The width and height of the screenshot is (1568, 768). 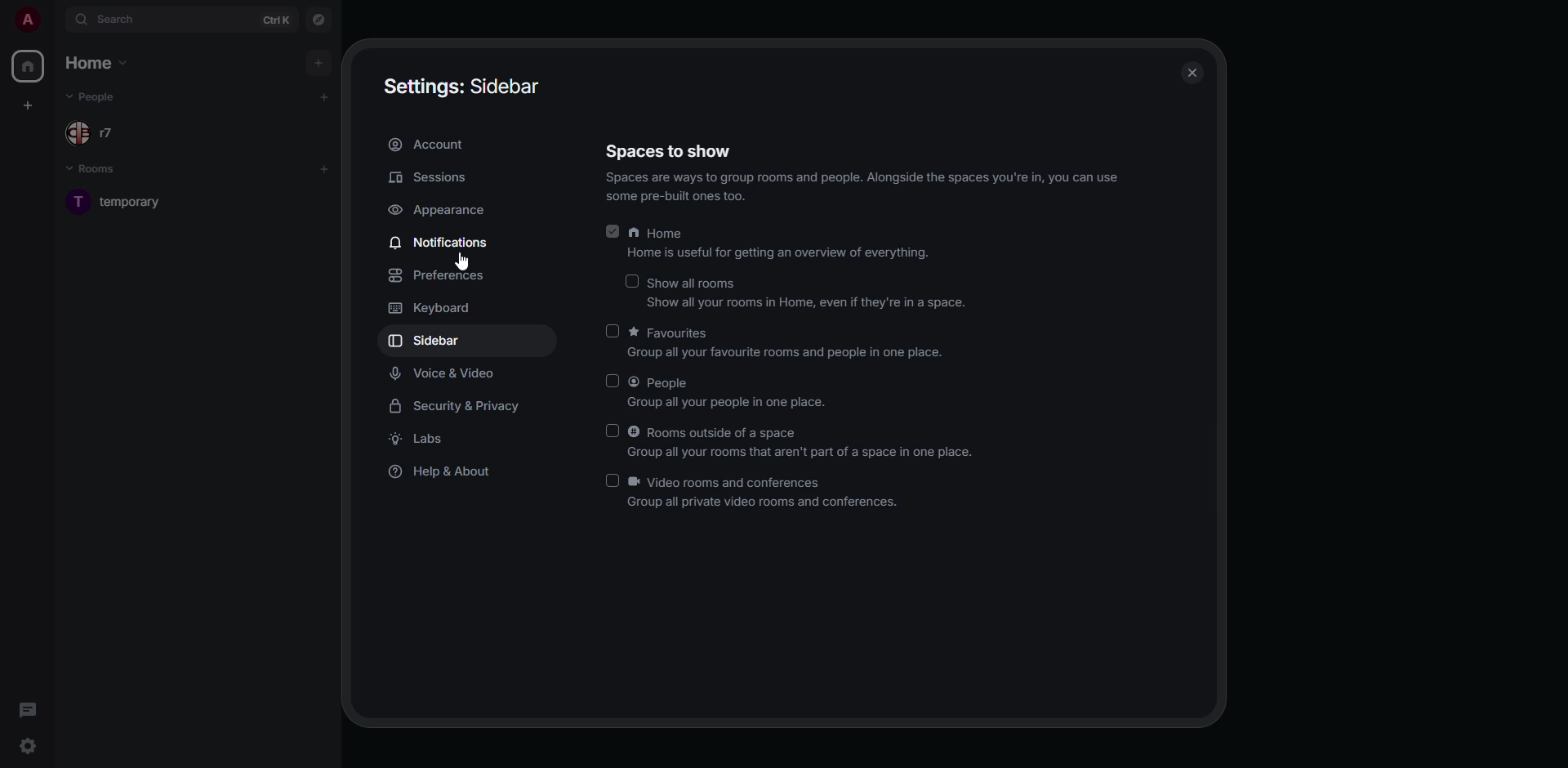 What do you see at coordinates (462, 84) in the screenshot?
I see `settings sidebar` at bounding box center [462, 84].